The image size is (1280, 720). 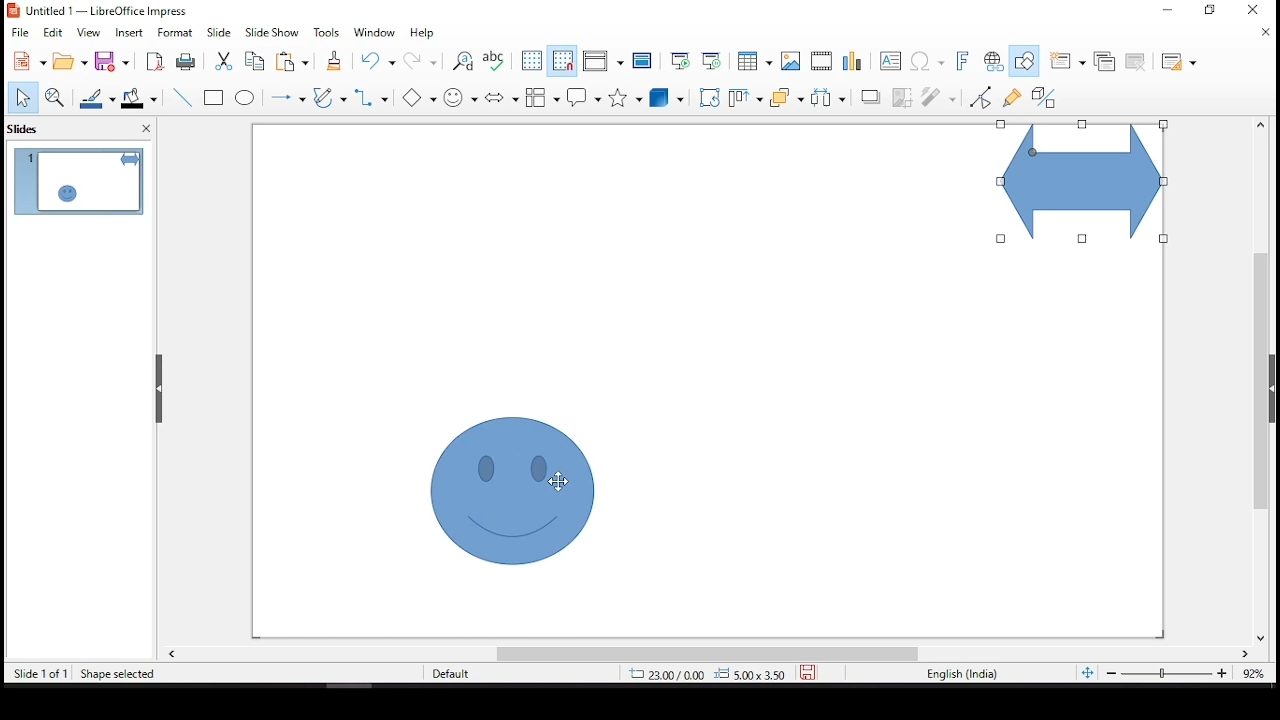 I want to click on scroll bar, so click(x=1255, y=380).